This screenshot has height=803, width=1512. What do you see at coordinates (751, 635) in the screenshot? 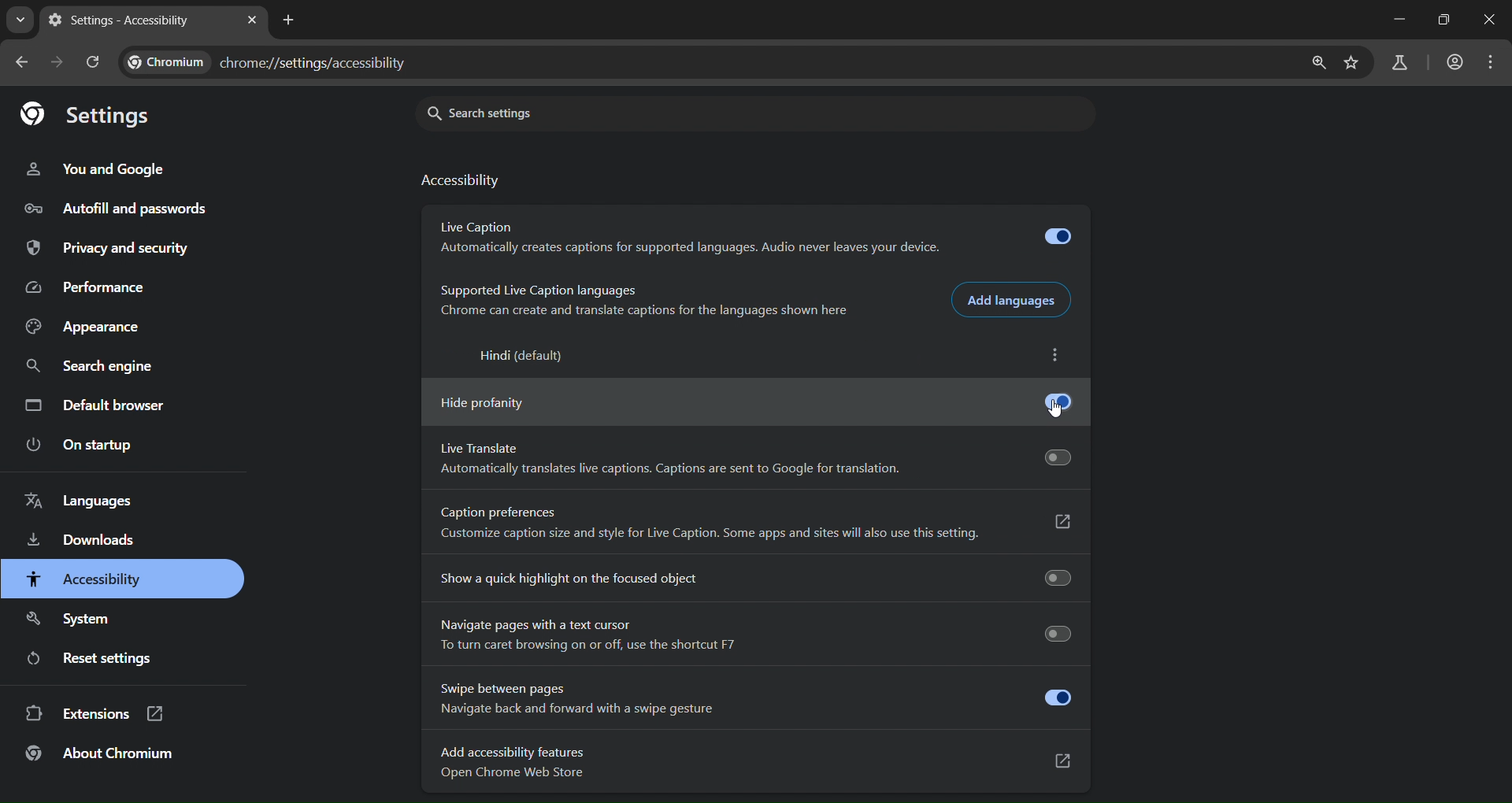
I see `Navigate pages with a text cursor
To turn caret browsing on or off, use the shortcut F7` at bounding box center [751, 635].